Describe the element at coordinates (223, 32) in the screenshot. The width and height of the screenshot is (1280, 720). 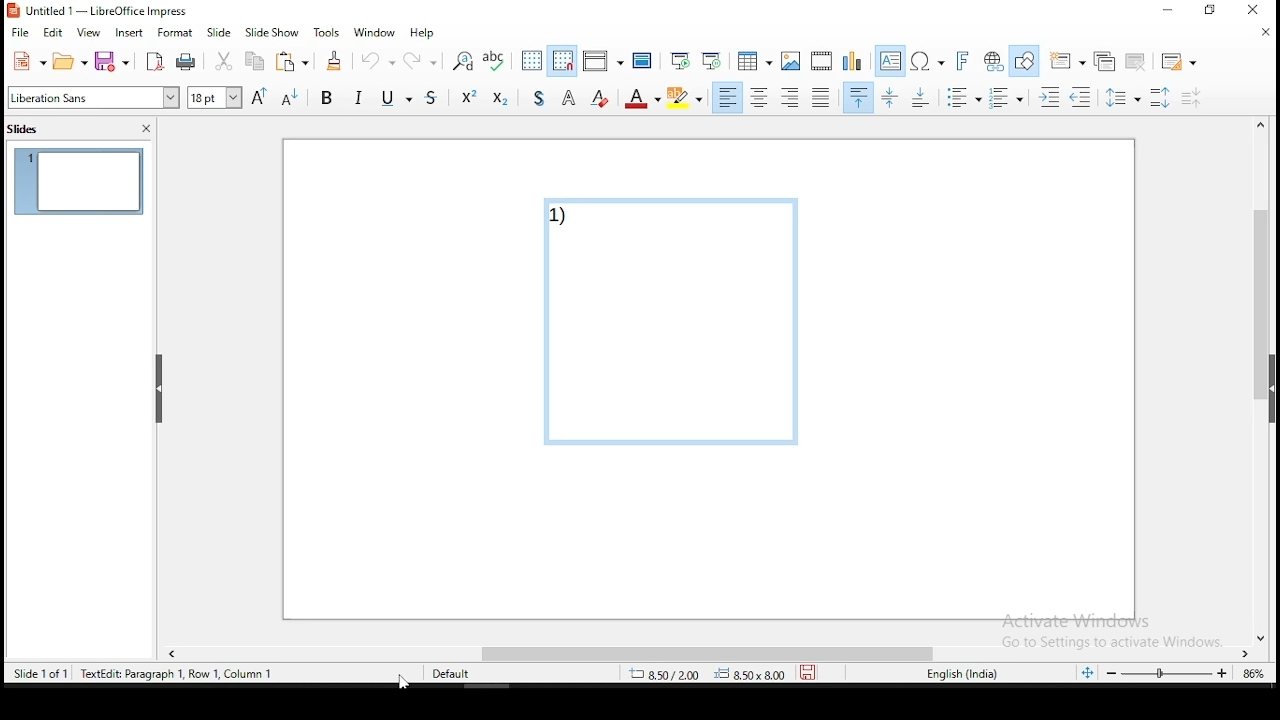
I see `slide` at that location.